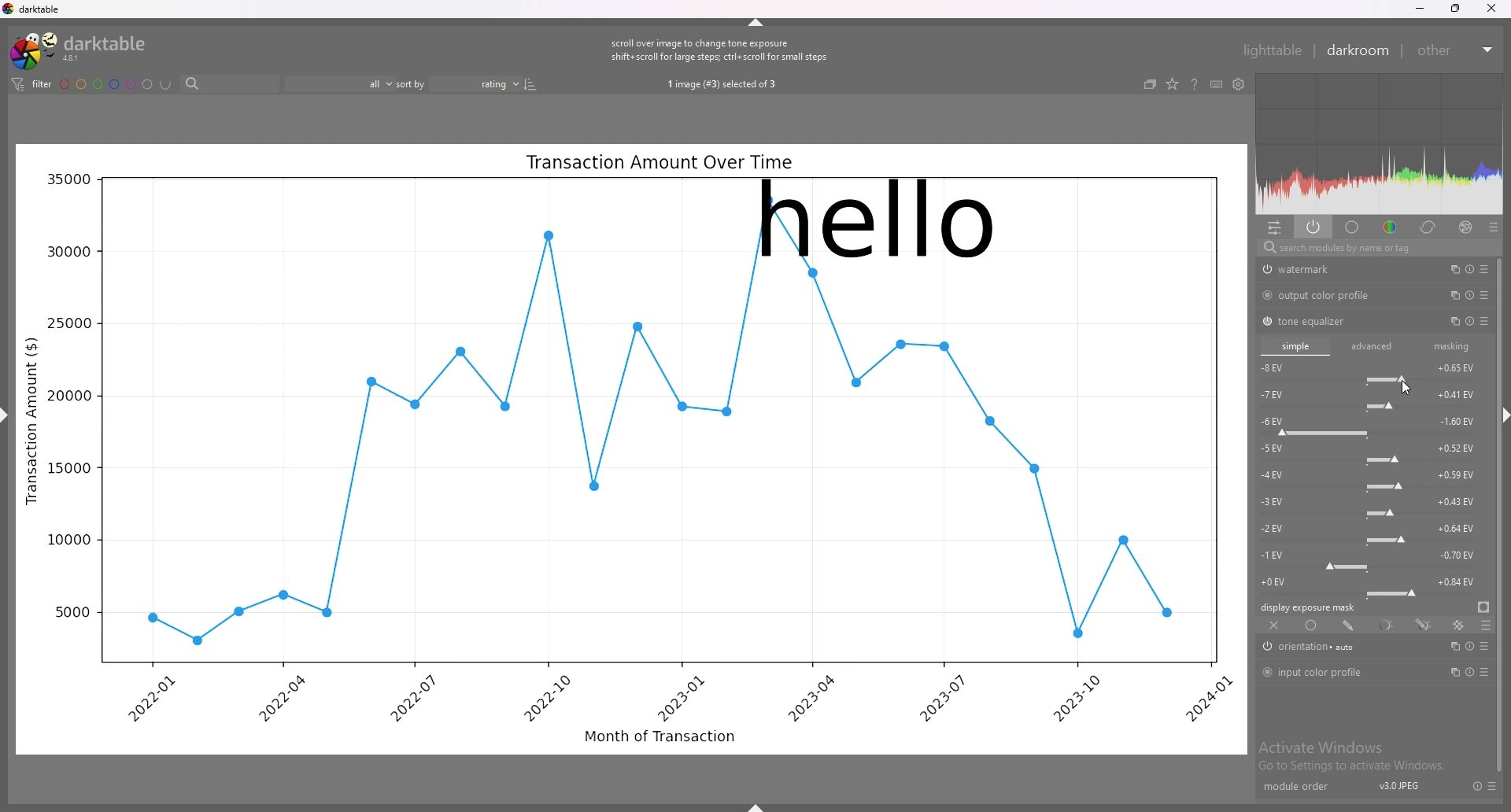  What do you see at coordinates (1483, 607) in the screenshot?
I see `display exposure mask` at bounding box center [1483, 607].